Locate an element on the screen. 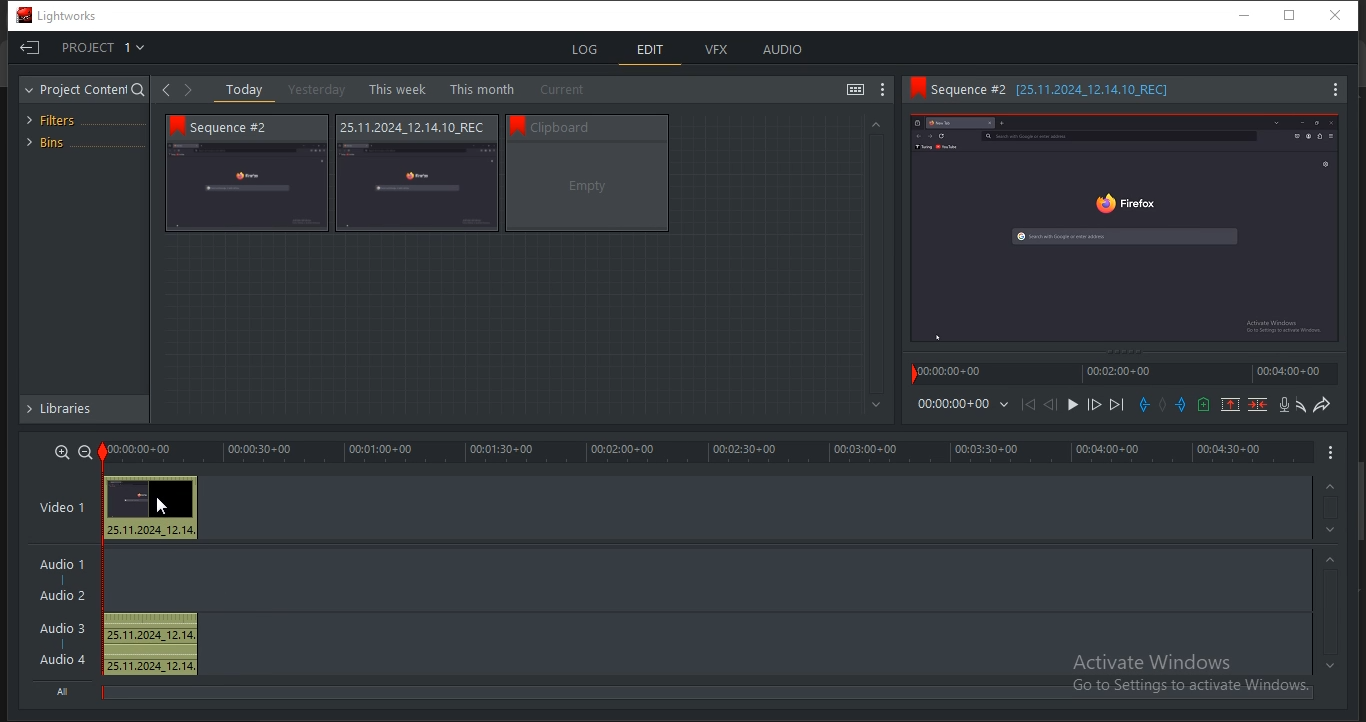 The height and width of the screenshot is (722, 1366). Back is located at coordinates (166, 90).